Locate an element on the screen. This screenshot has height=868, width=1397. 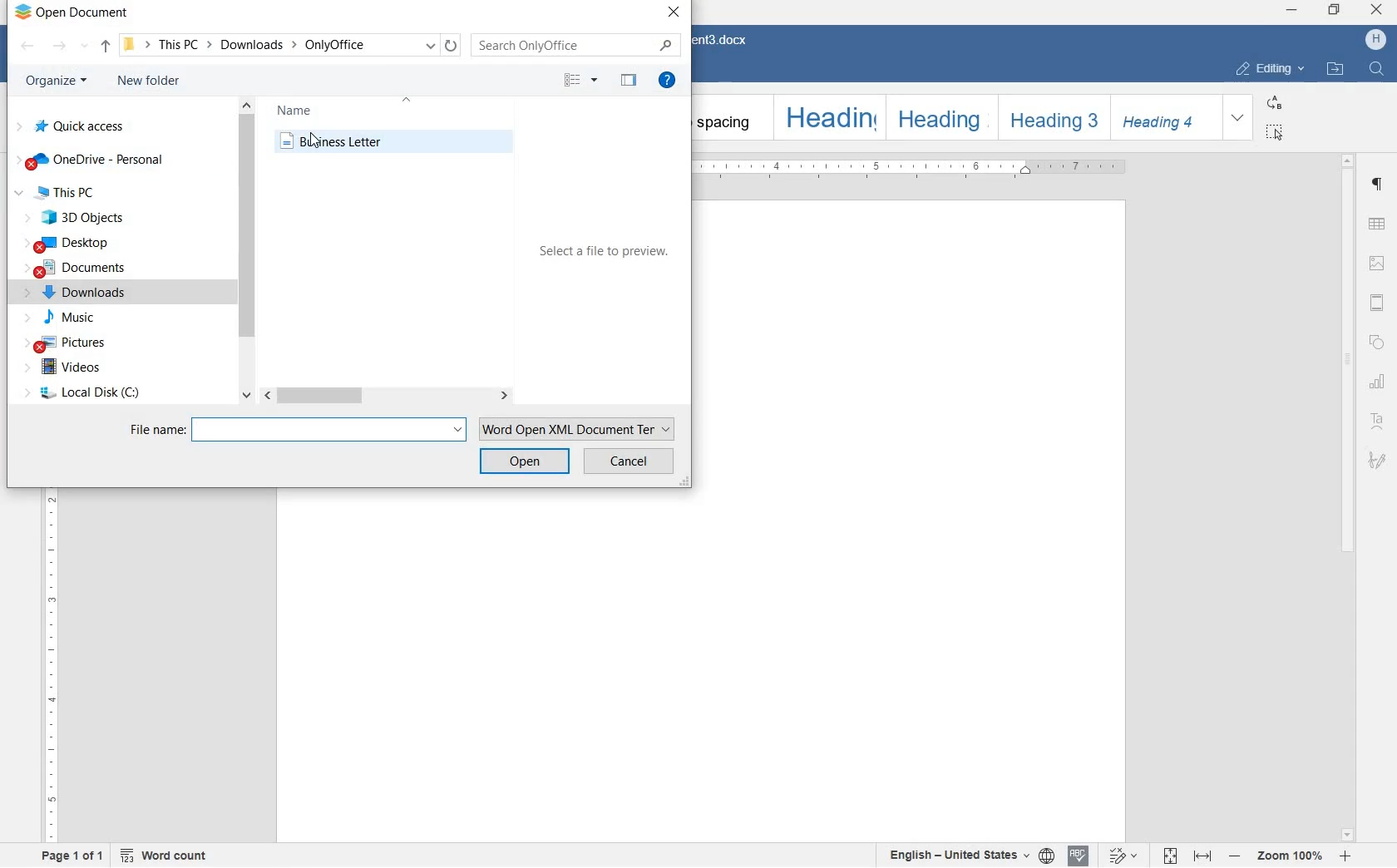
ruler is located at coordinates (919, 169).